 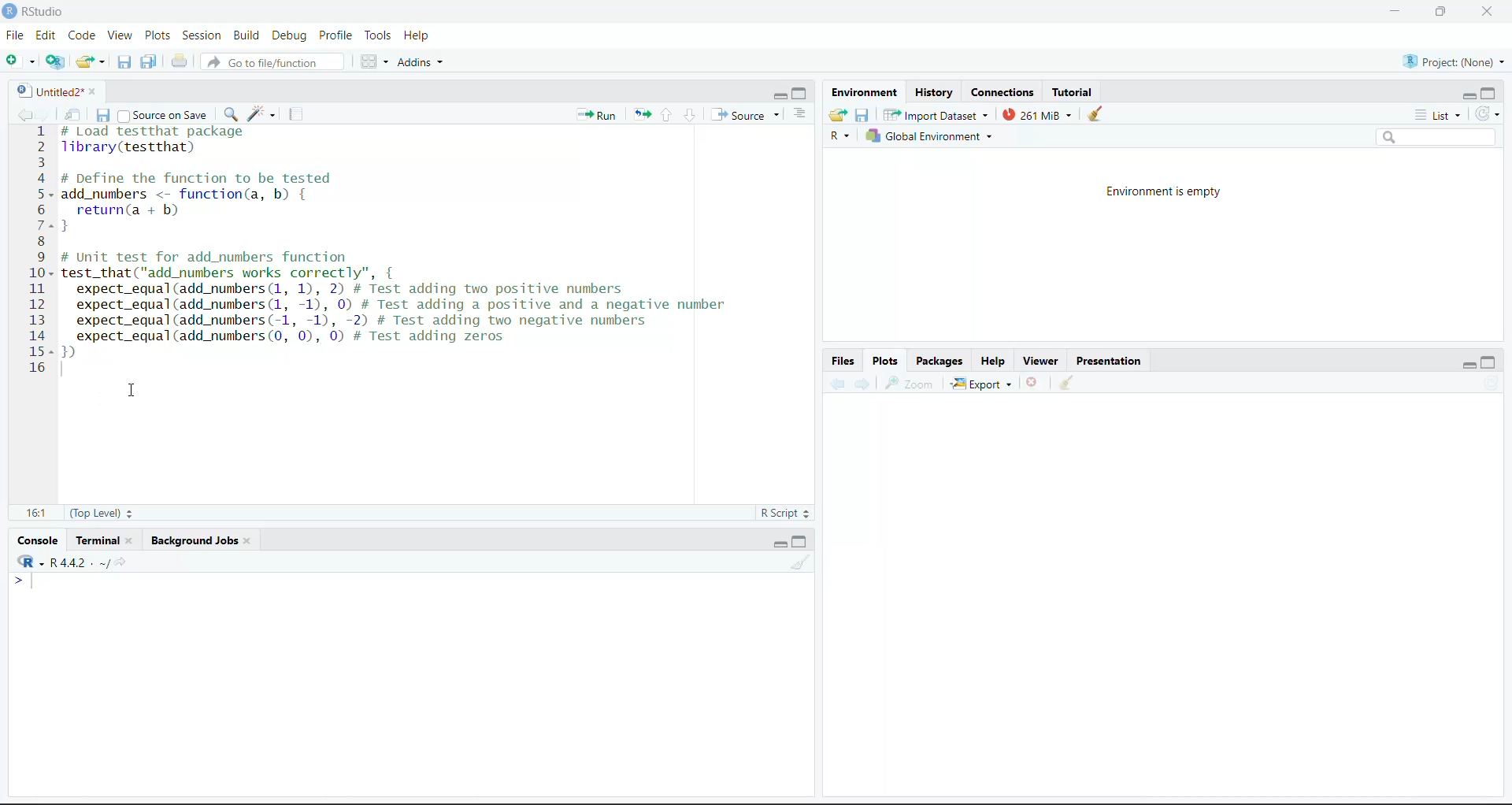 I want to click on List, so click(x=1438, y=114).